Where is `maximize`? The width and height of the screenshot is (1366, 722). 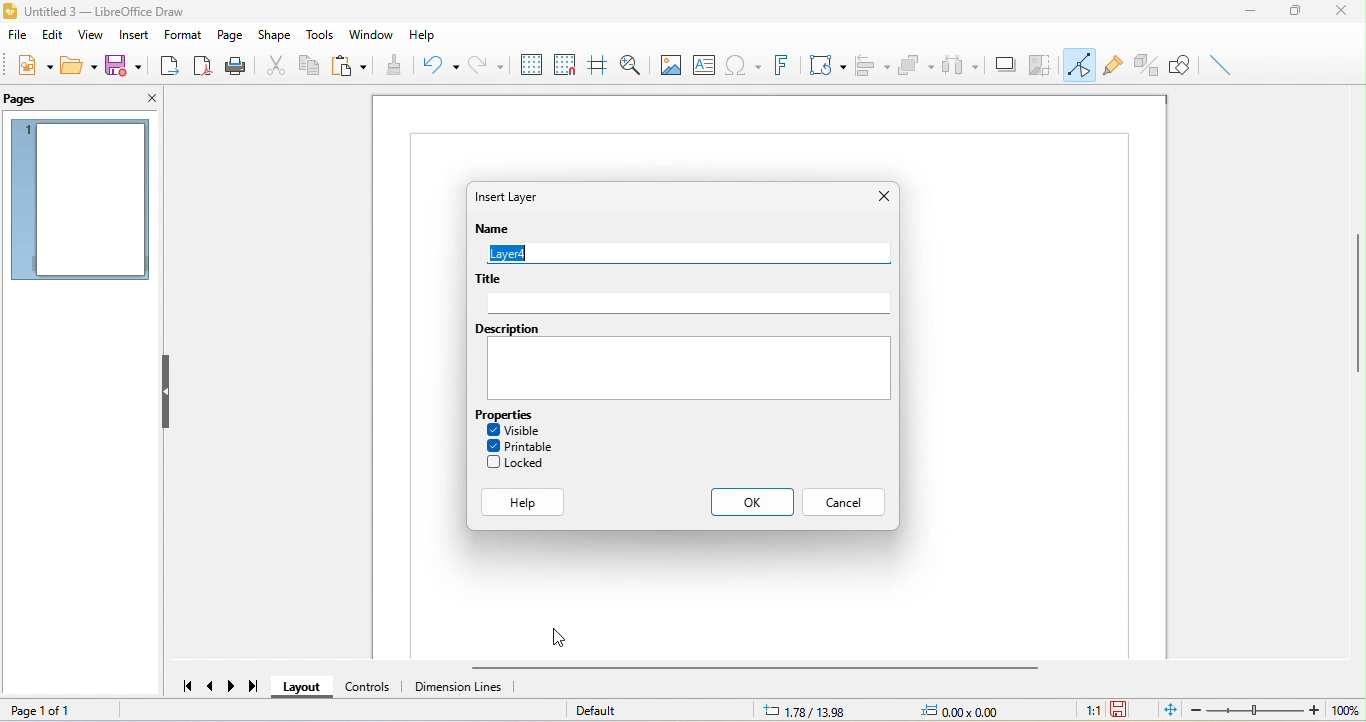
maximize is located at coordinates (1298, 11).